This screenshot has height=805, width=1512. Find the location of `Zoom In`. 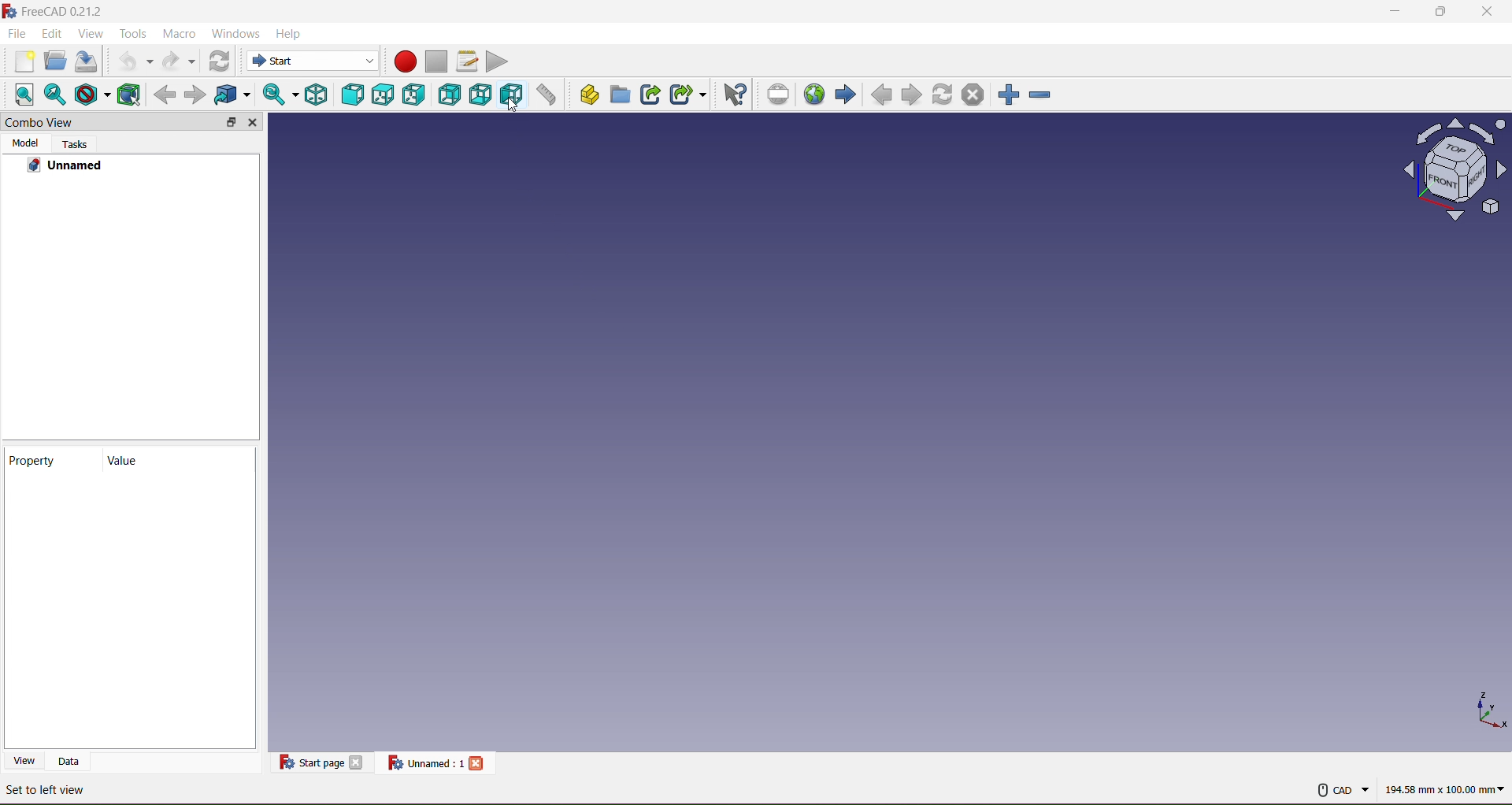

Zoom In is located at coordinates (1009, 95).